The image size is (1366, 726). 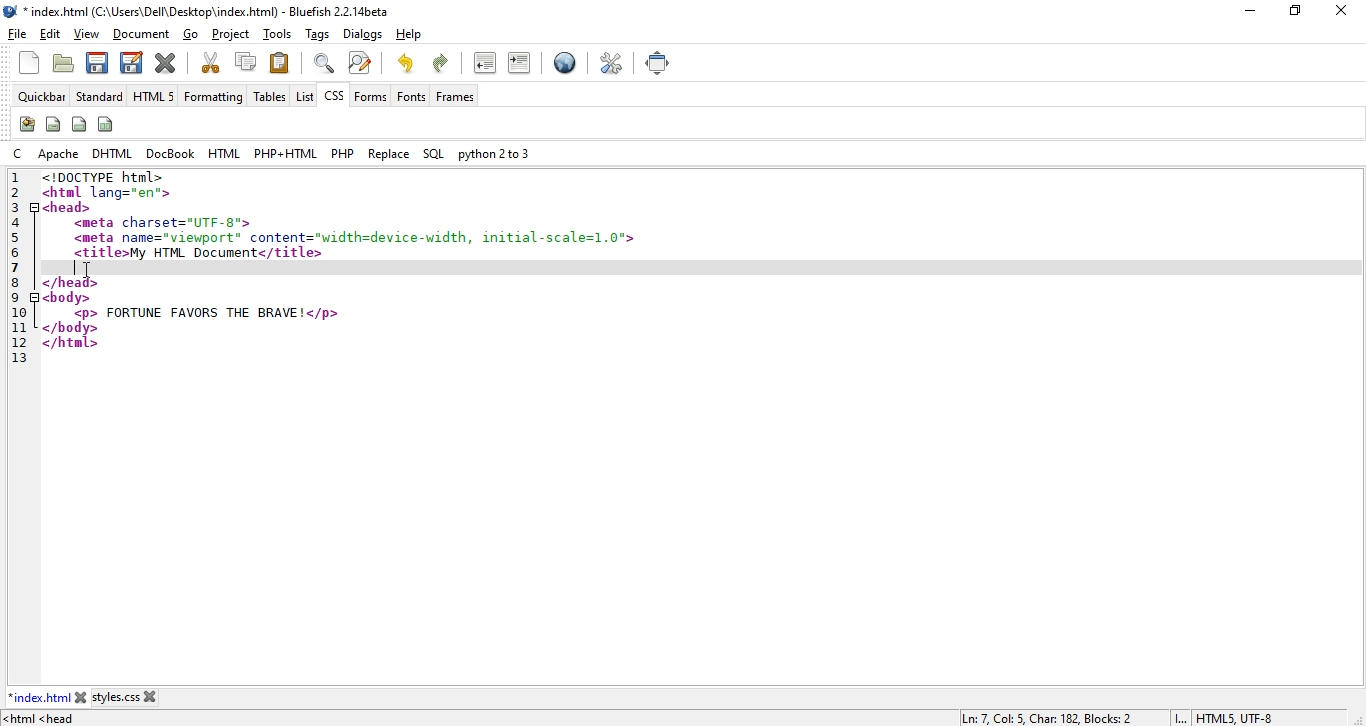 I want to click on bluefish logo, so click(x=12, y=12).